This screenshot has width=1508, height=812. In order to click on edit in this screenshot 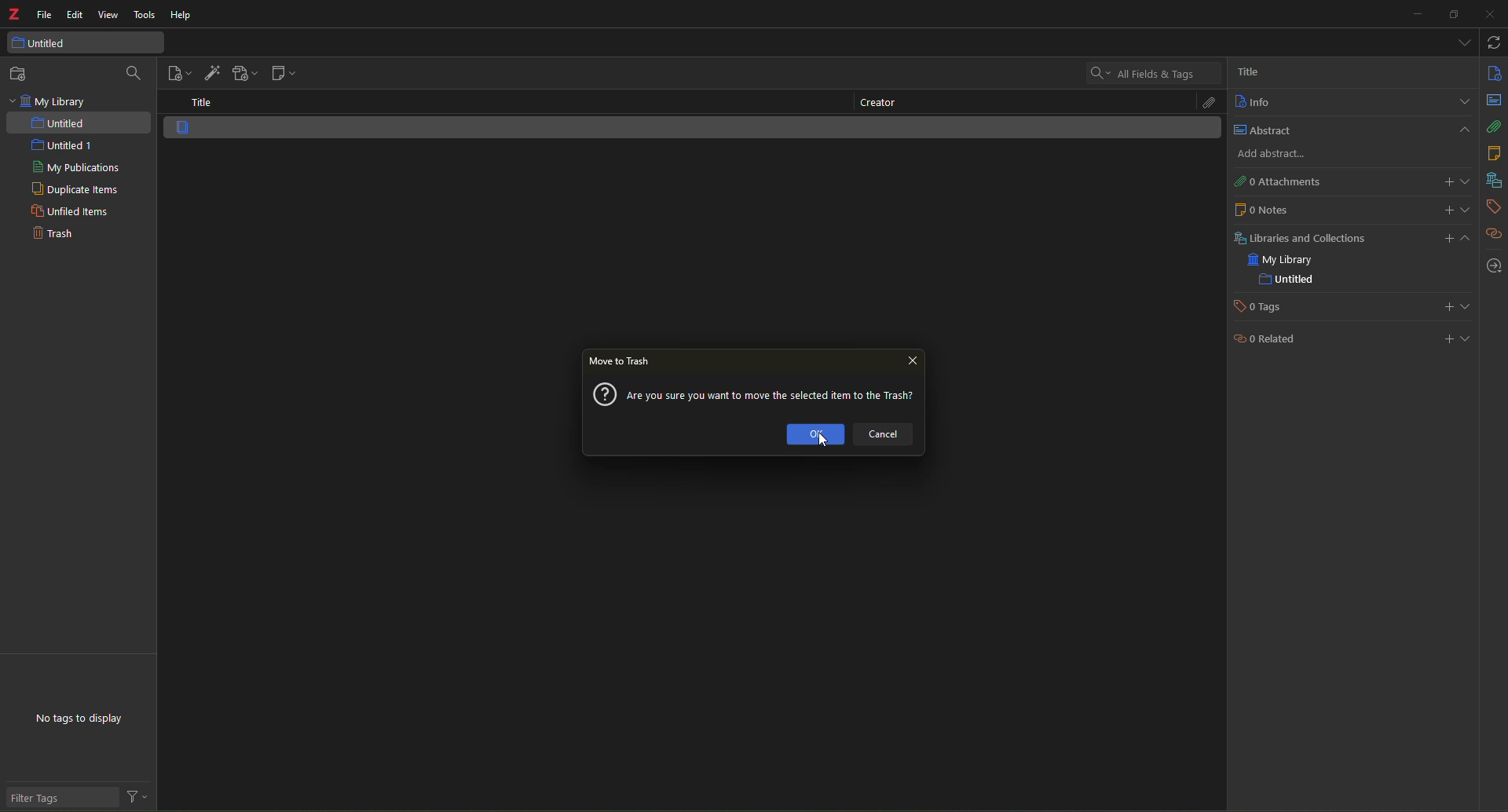, I will do `click(75, 14)`.